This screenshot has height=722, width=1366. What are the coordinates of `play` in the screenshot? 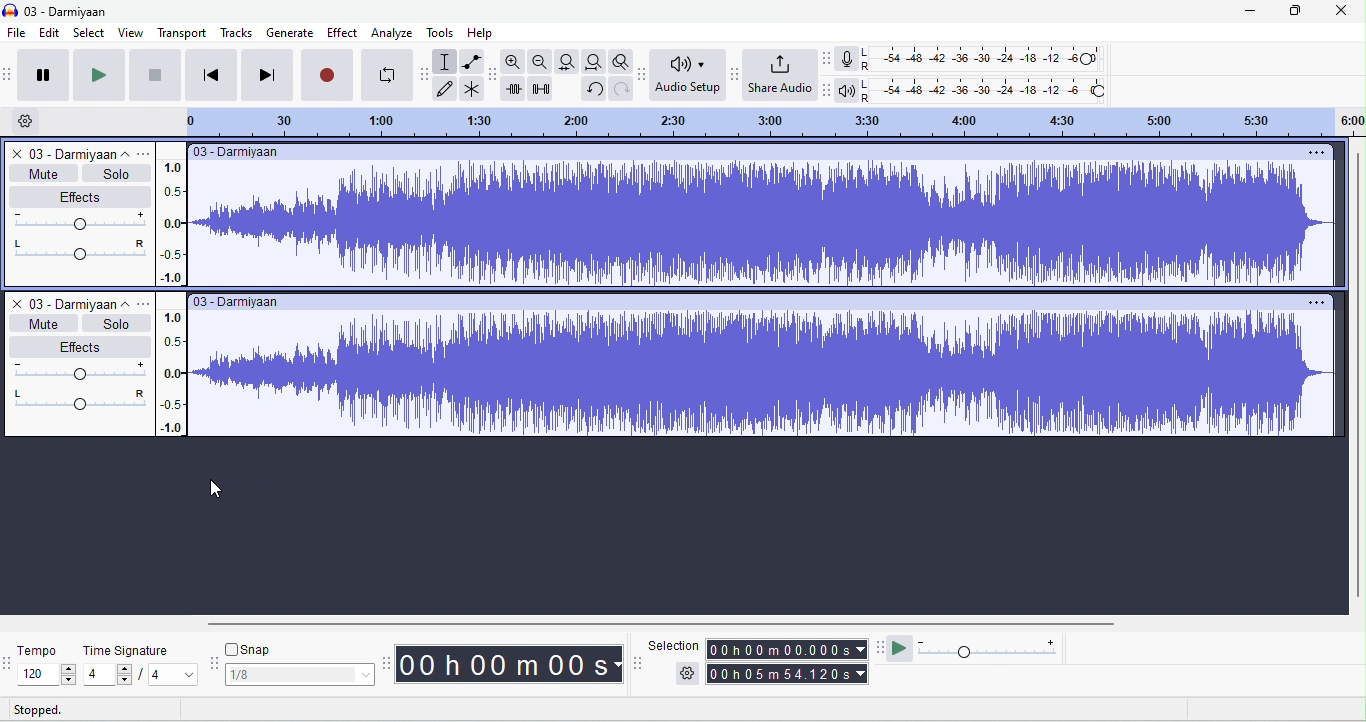 It's located at (96, 76).